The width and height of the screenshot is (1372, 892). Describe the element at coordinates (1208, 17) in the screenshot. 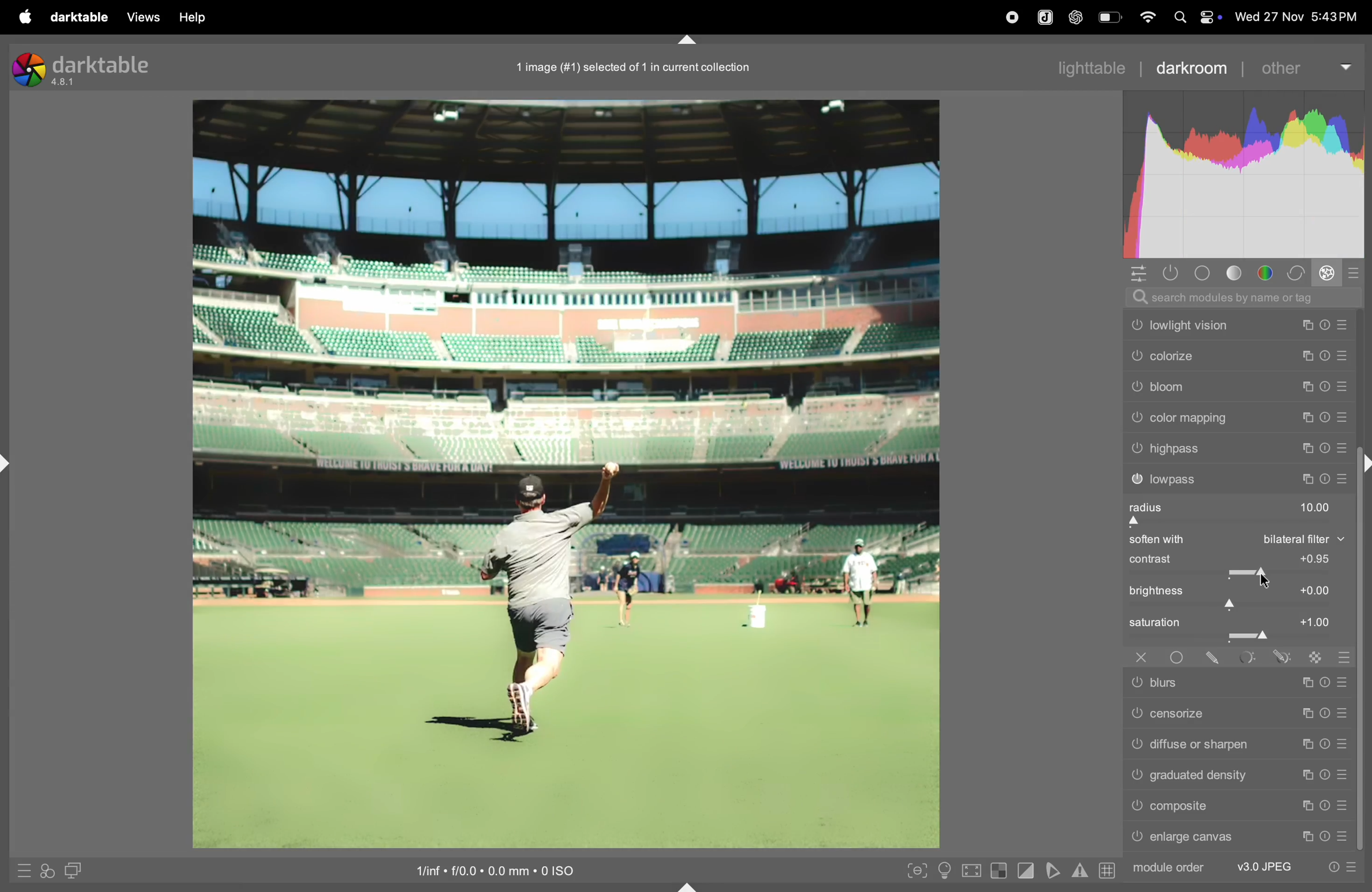

I see `apple widgets` at that location.